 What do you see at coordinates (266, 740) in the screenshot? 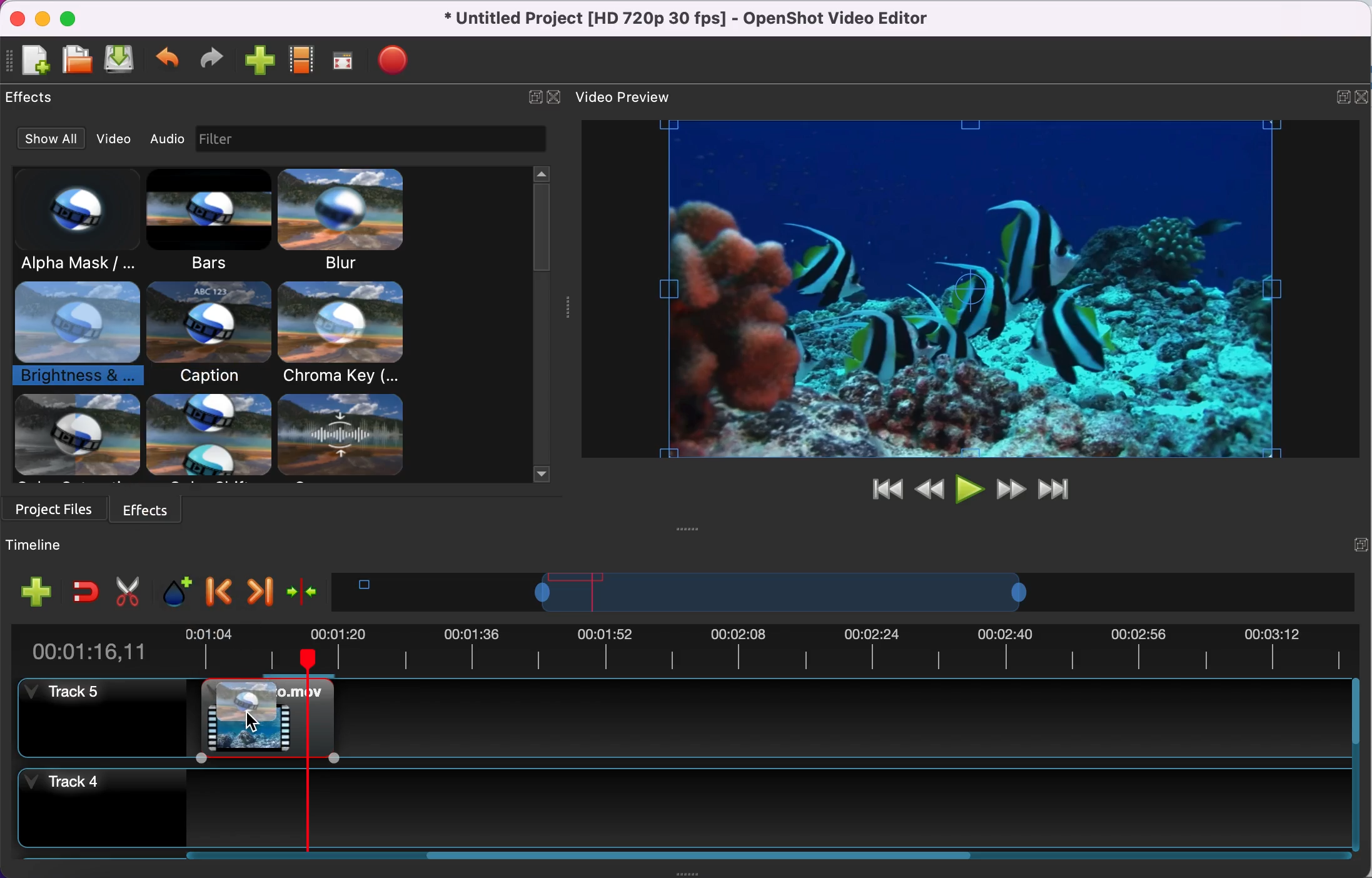
I see `Marcito movie` at bounding box center [266, 740].